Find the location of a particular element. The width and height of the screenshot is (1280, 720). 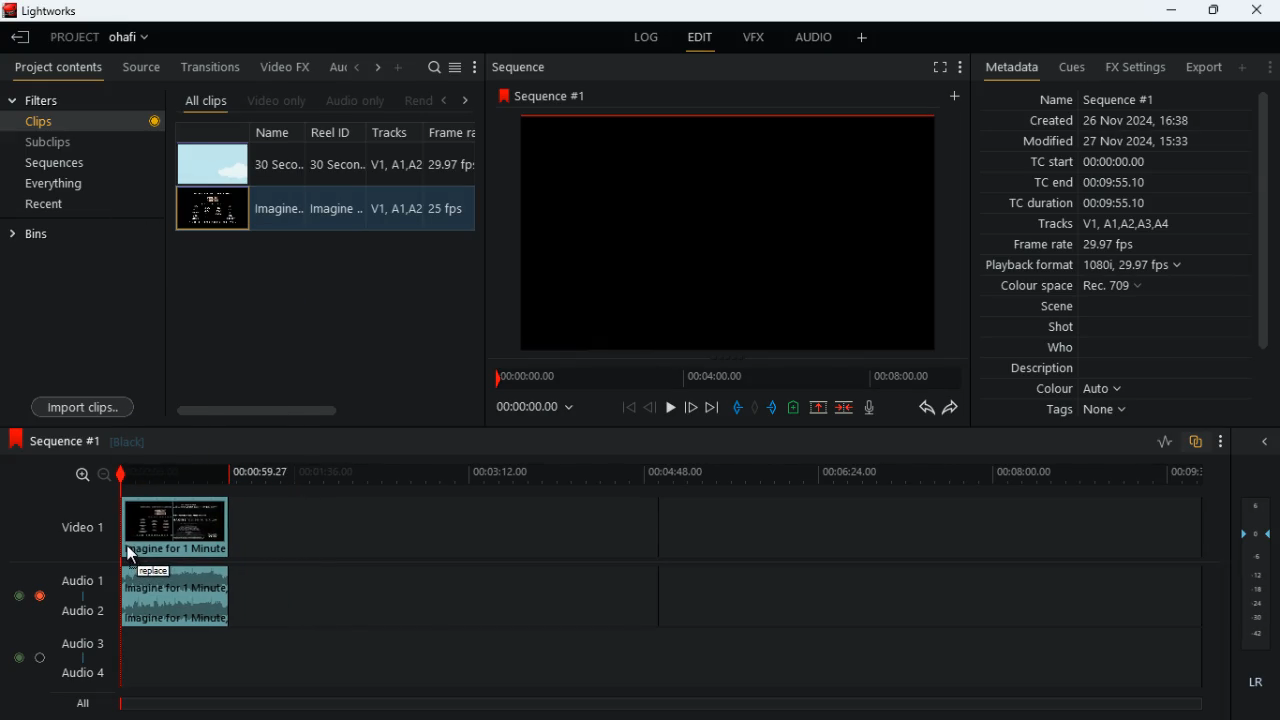

created is located at coordinates (1119, 122).